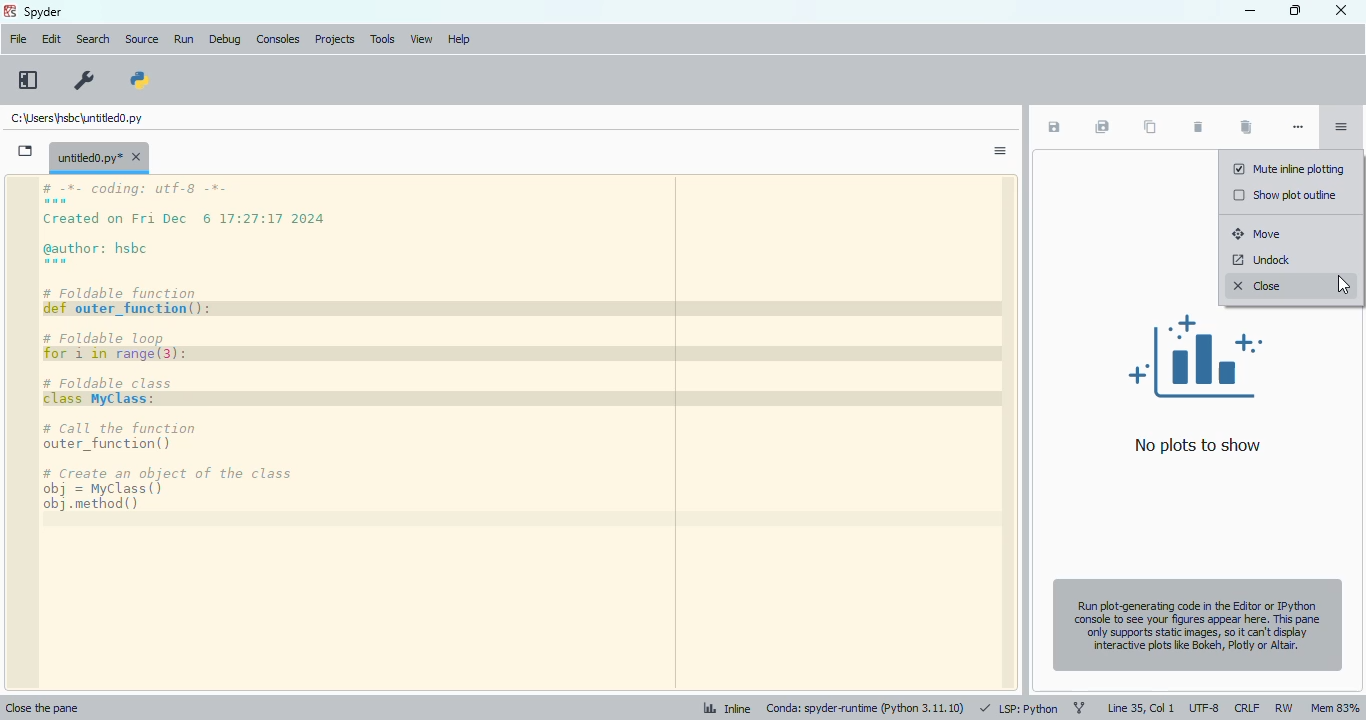  I want to click on run, so click(184, 40).